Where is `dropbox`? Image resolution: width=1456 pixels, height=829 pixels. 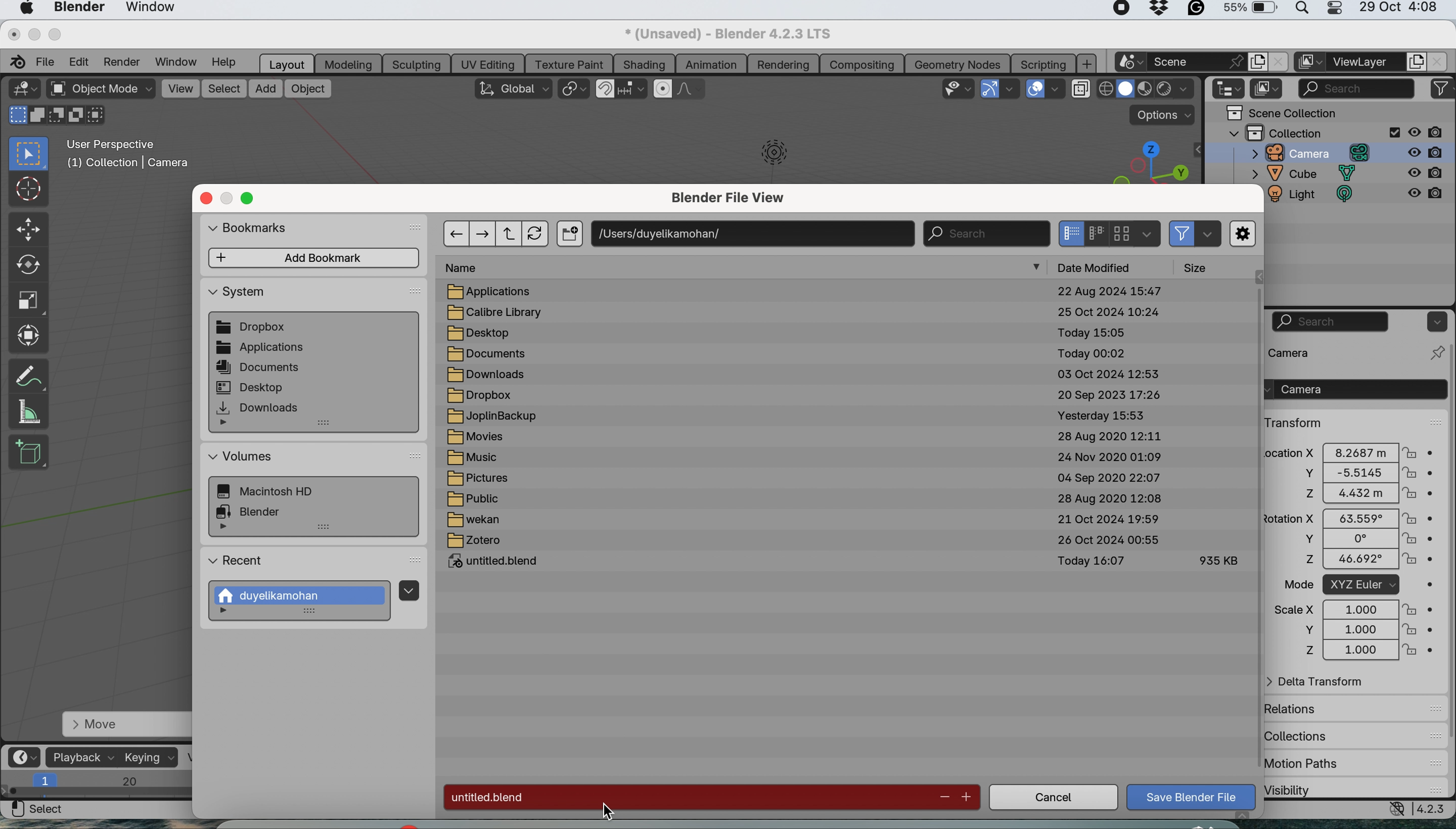
dropbox is located at coordinates (253, 328).